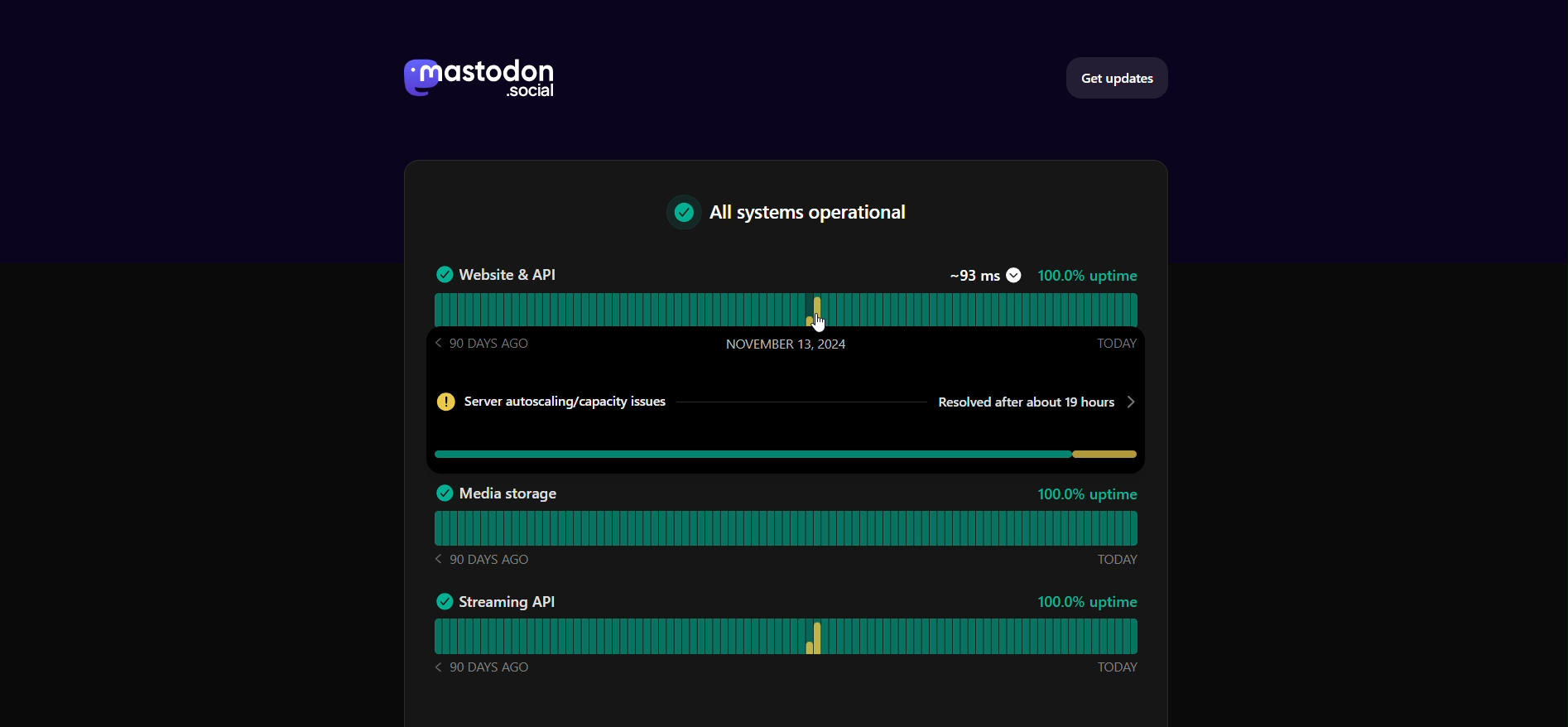 The height and width of the screenshot is (727, 1568). What do you see at coordinates (475, 79) in the screenshot?
I see `mastodon social logo` at bounding box center [475, 79].